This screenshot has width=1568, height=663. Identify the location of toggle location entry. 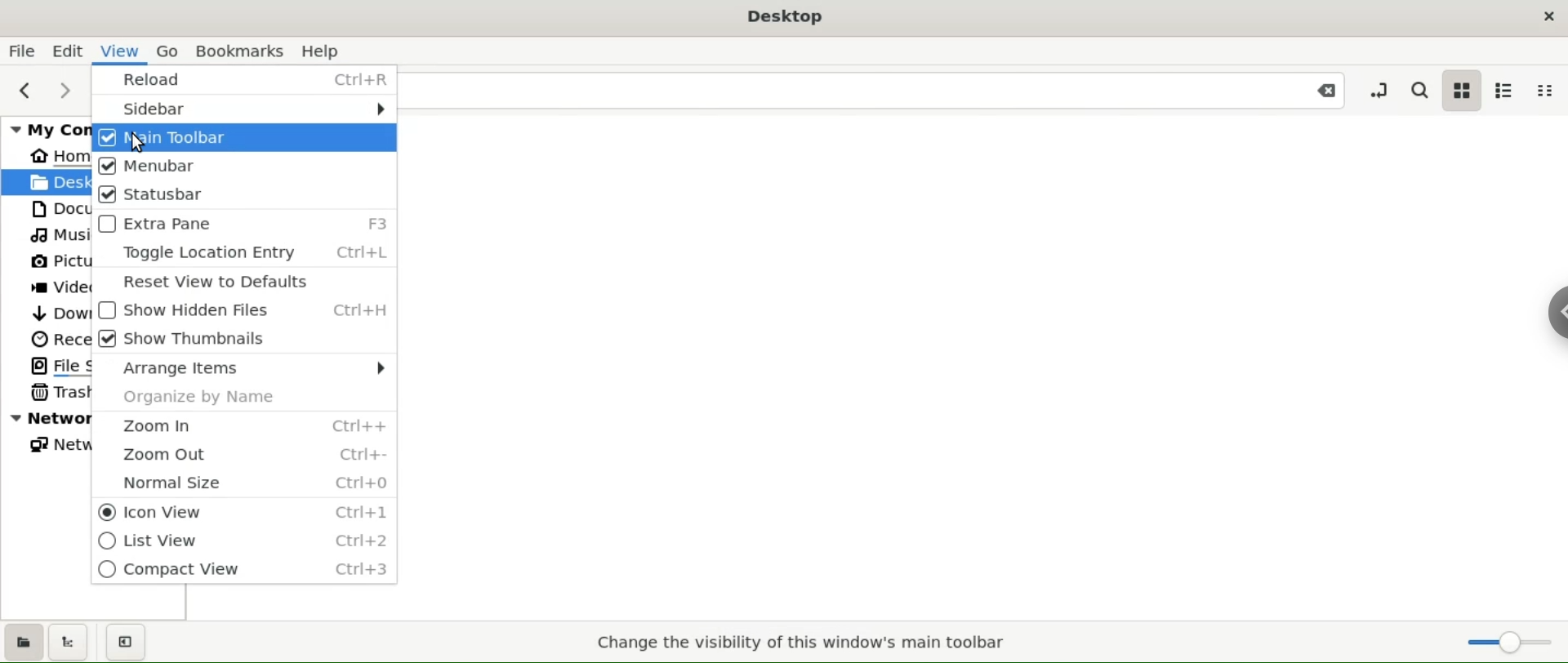
(1379, 90).